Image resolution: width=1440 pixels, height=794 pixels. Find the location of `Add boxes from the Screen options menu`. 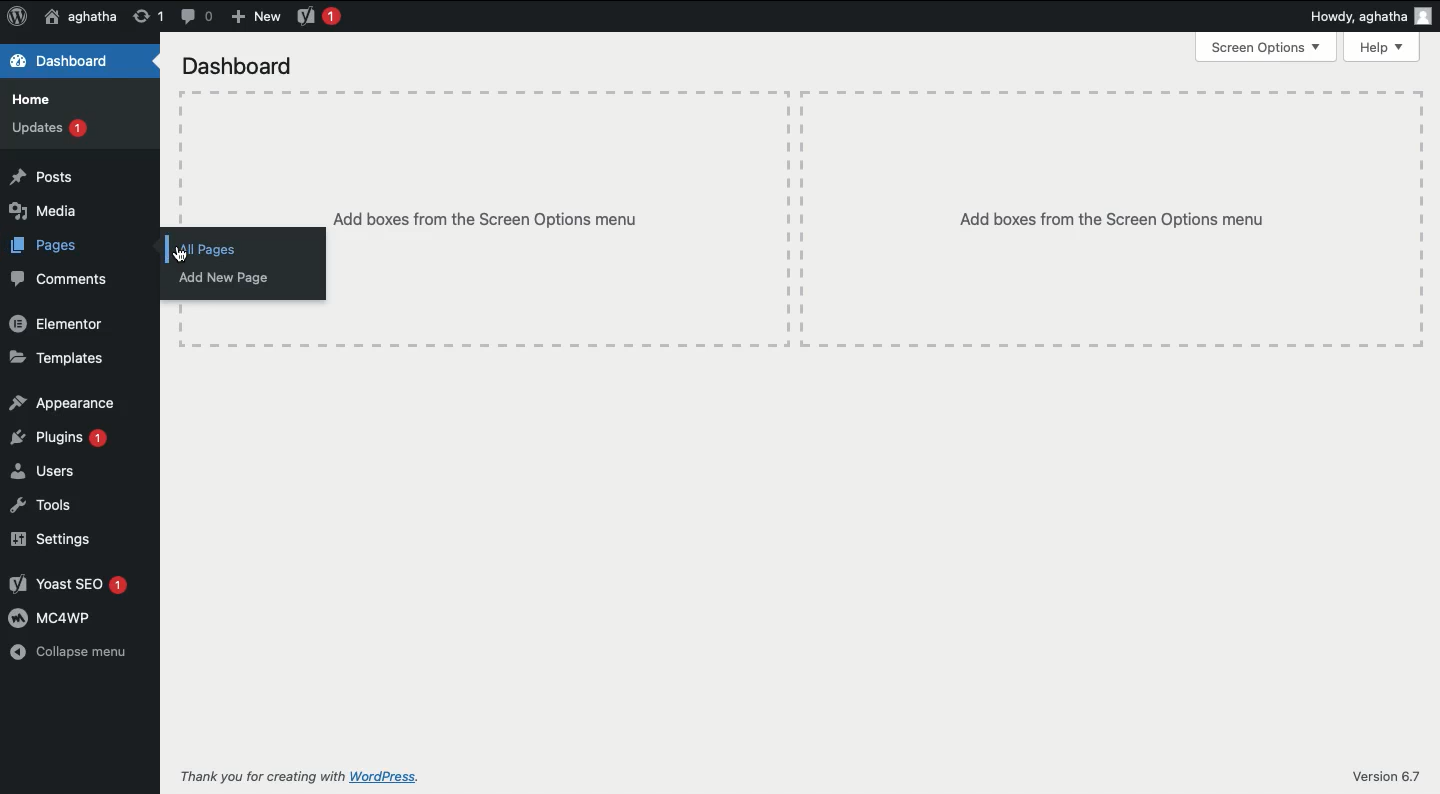

Add boxes from the Screen options menu is located at coordinates (874, 219).